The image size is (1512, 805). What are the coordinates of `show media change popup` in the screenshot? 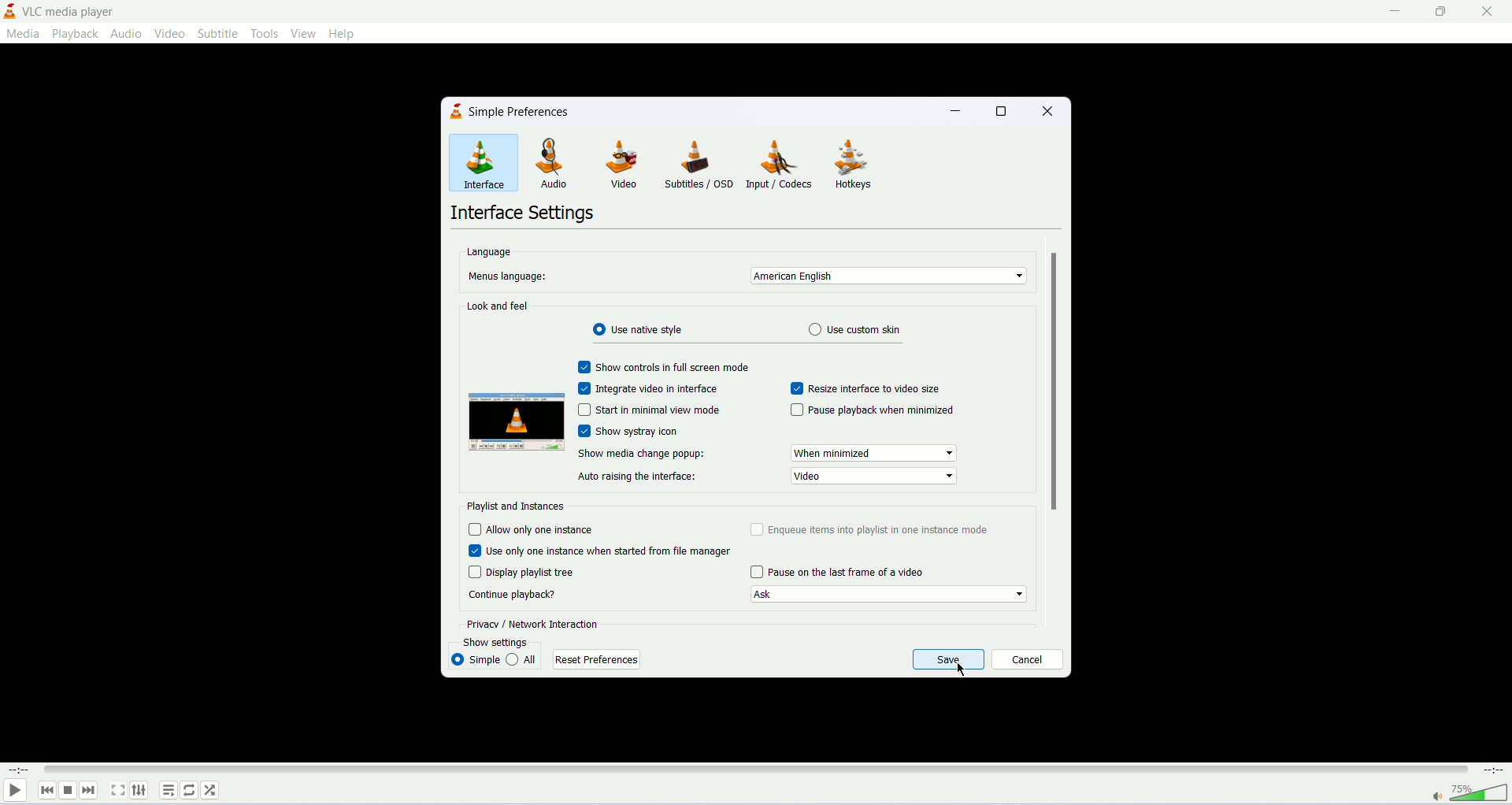 It's located at (643, 453).